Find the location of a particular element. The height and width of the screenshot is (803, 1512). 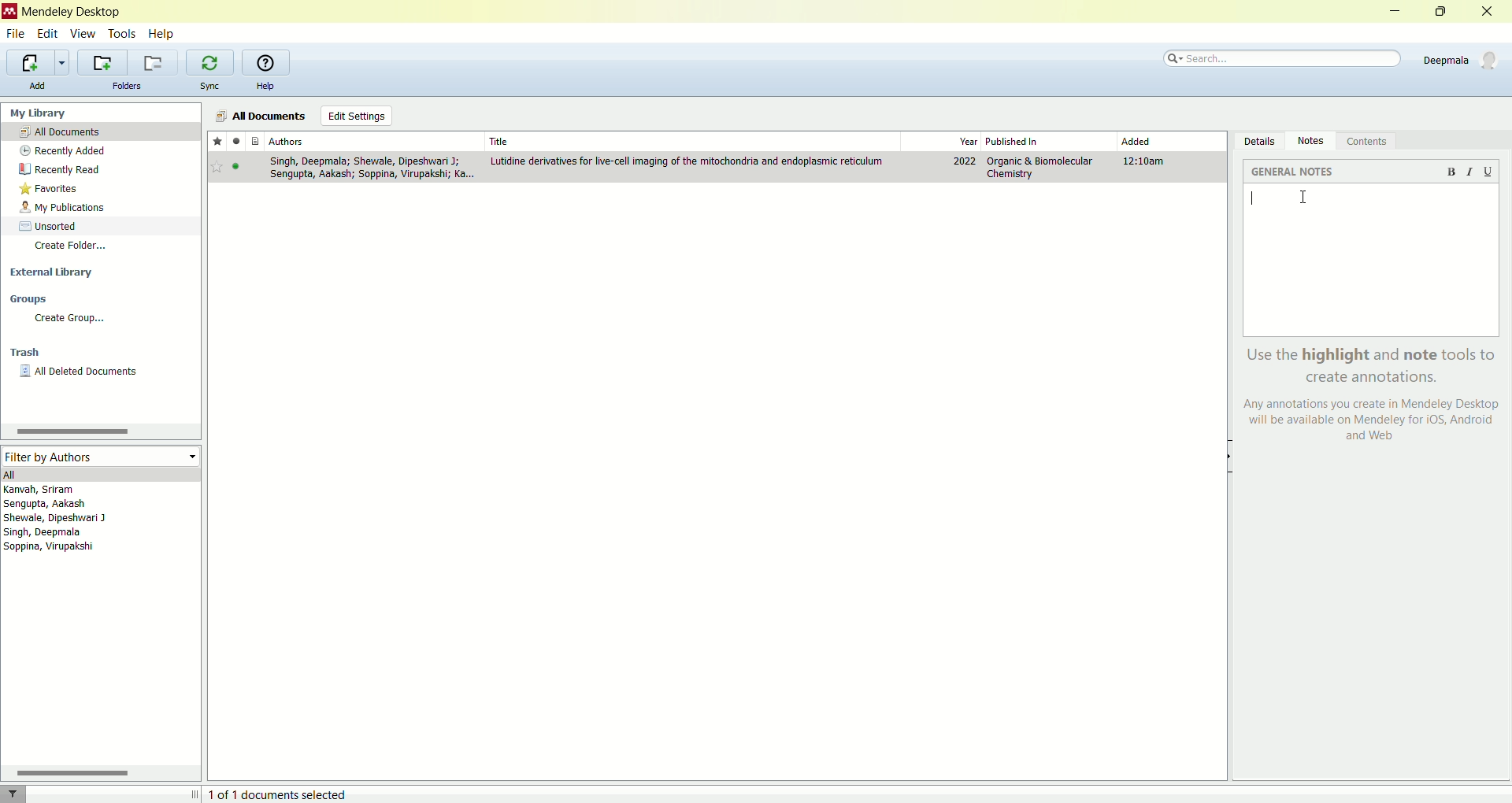

1 of 1 documents selected is located at coordinates (285, 791).